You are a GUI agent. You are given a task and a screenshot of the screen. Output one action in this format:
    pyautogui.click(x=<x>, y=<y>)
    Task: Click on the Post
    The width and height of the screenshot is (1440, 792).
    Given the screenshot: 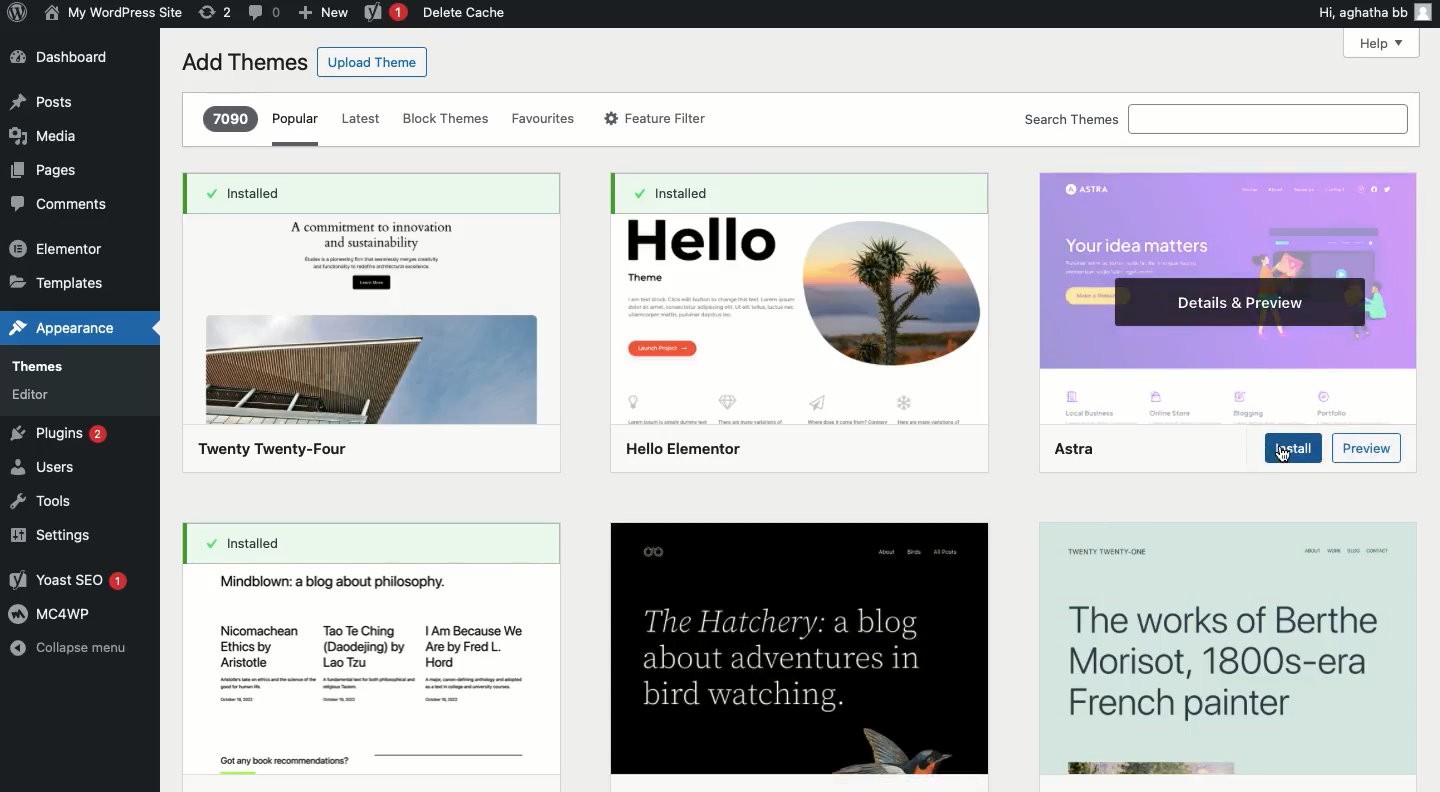 What is the action you would take?
    pyautogui.click(x=43, y=100)
    